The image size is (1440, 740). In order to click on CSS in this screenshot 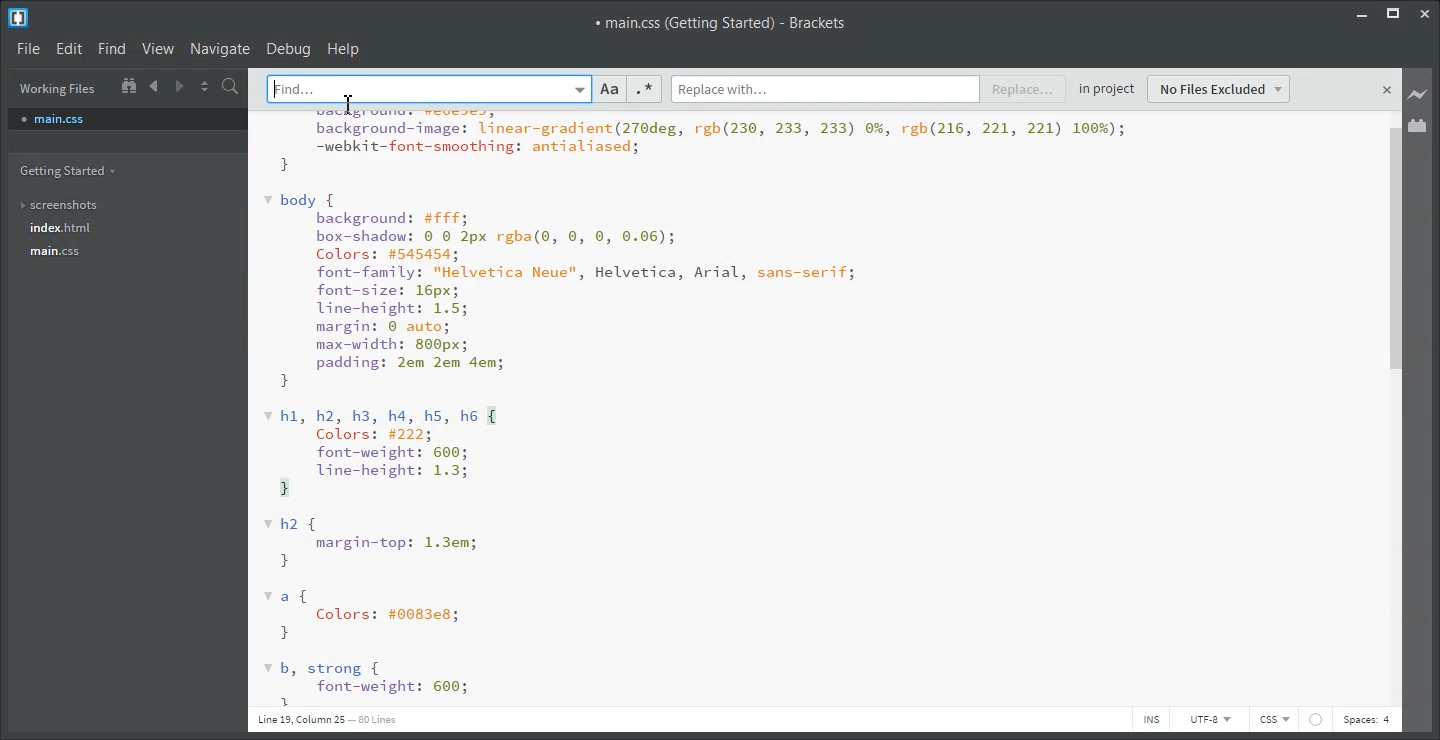, I will do `click(1274, 720)`.